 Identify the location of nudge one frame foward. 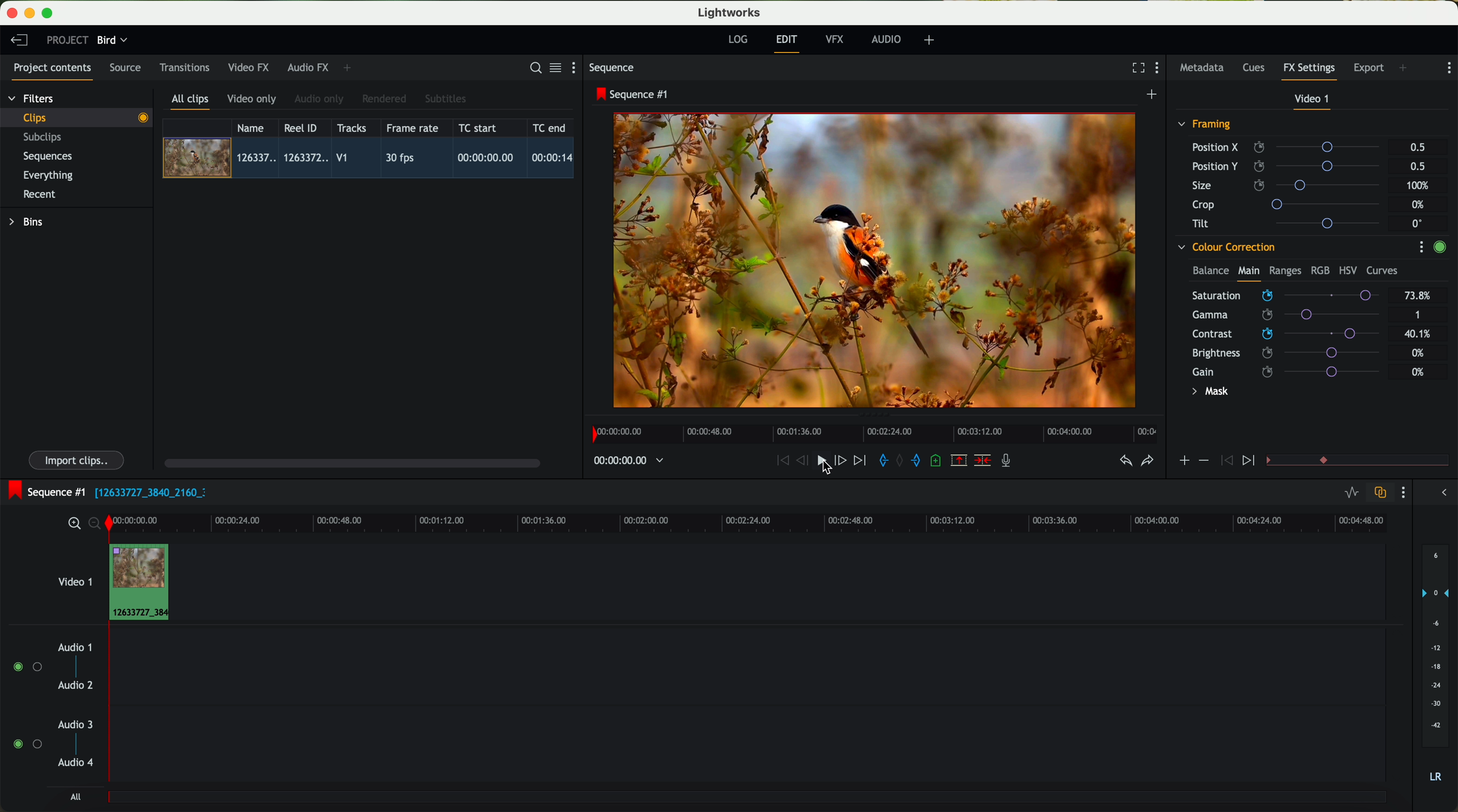
(842, 461).